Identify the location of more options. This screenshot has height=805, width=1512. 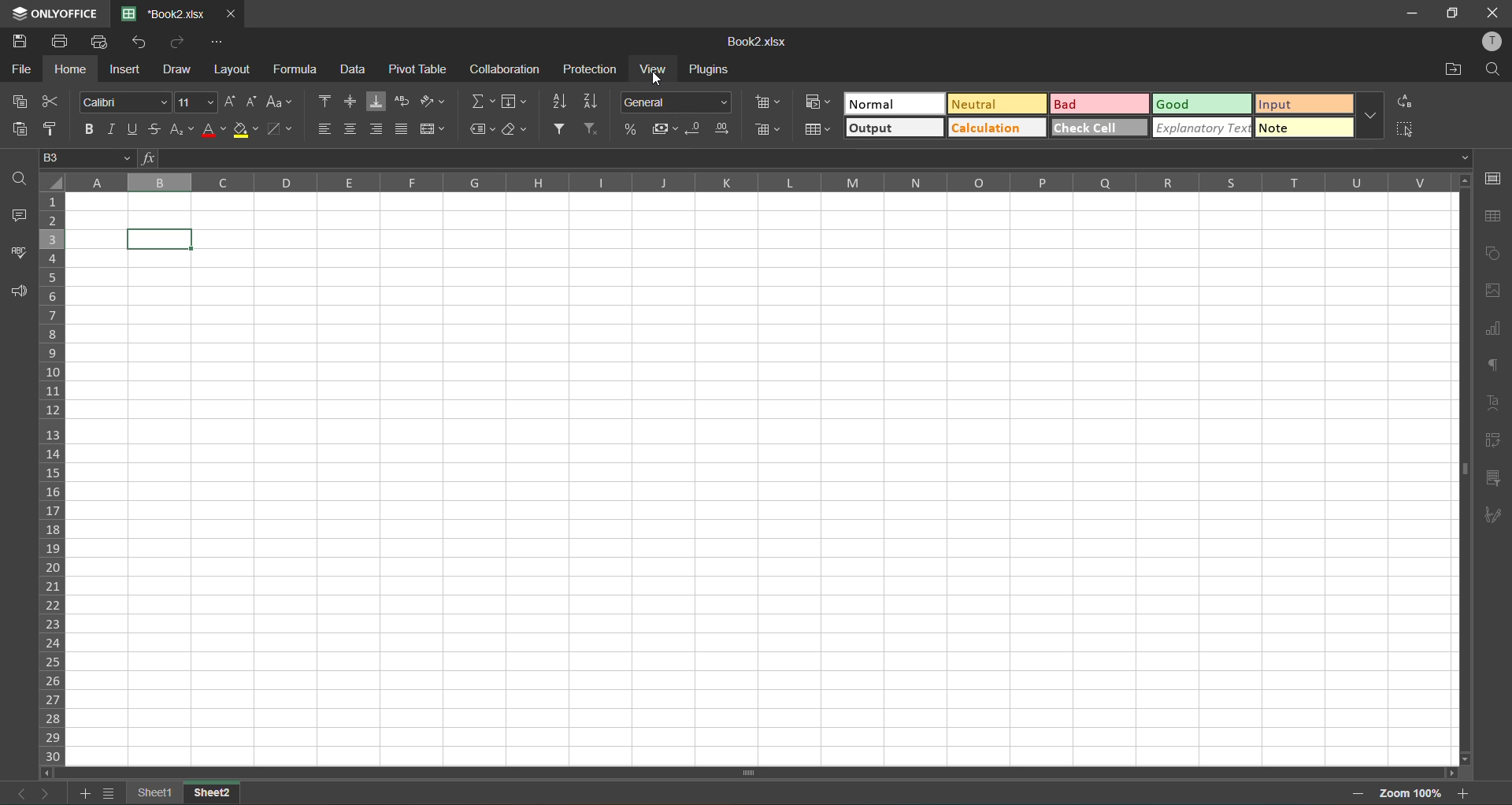
(1373, 113).